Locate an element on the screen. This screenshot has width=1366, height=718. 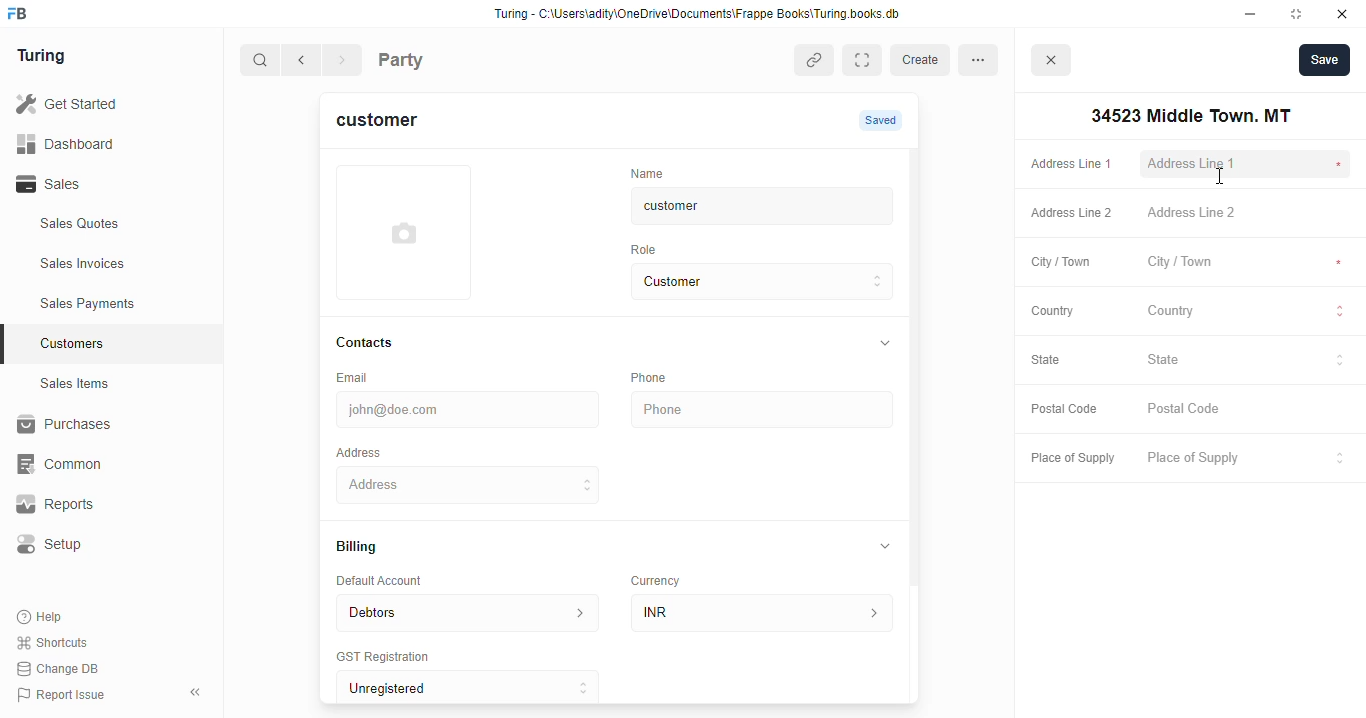
Currency is located at coordinates (664, 576).